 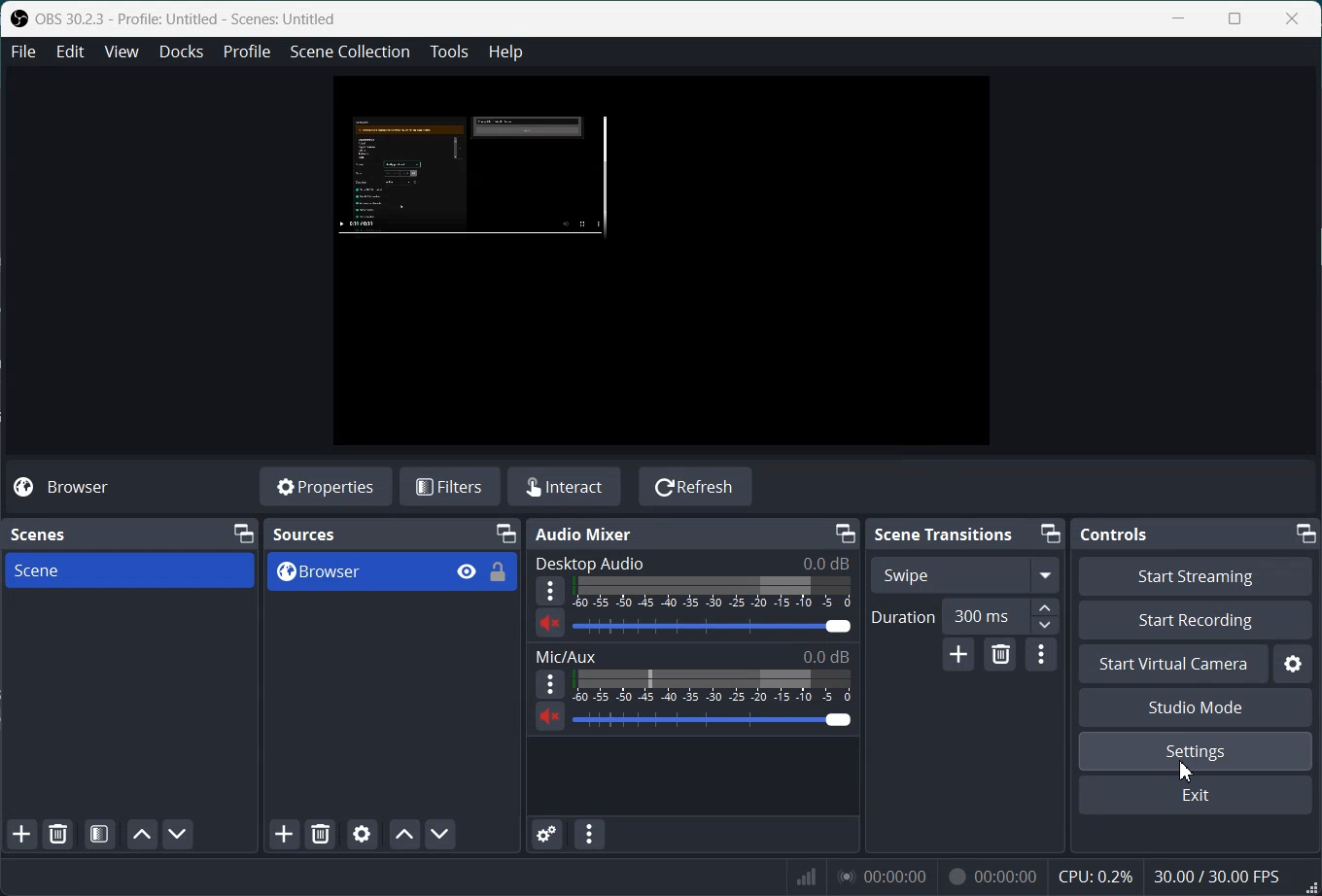 What do you see at coordinates (1186, 771) in the screenshot?
I see `Cursor` at bounding box center [1186, 771].